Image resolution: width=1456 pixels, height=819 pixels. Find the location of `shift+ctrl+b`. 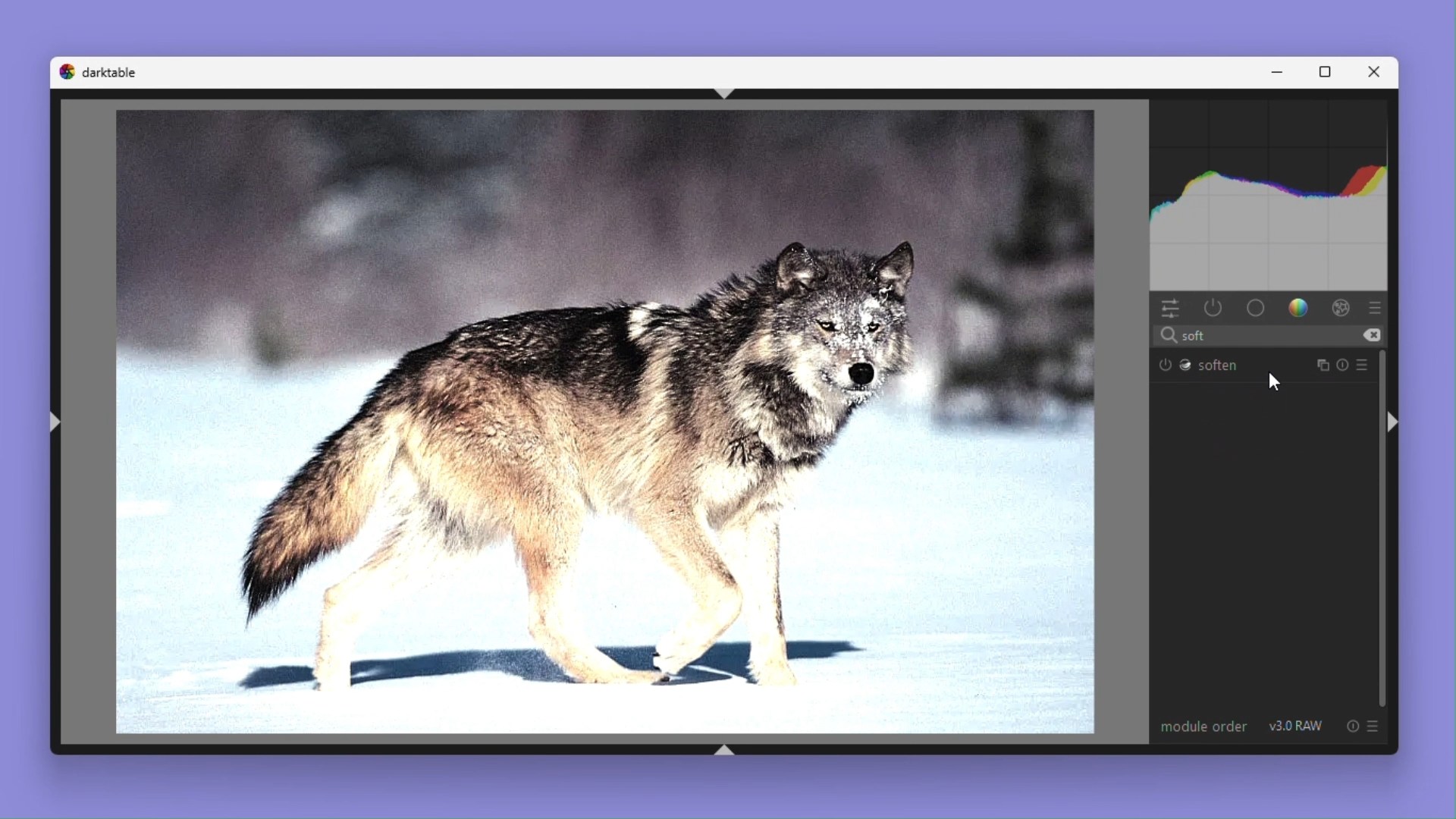

shift+ctrl+b is located at coordinates (727, 749).